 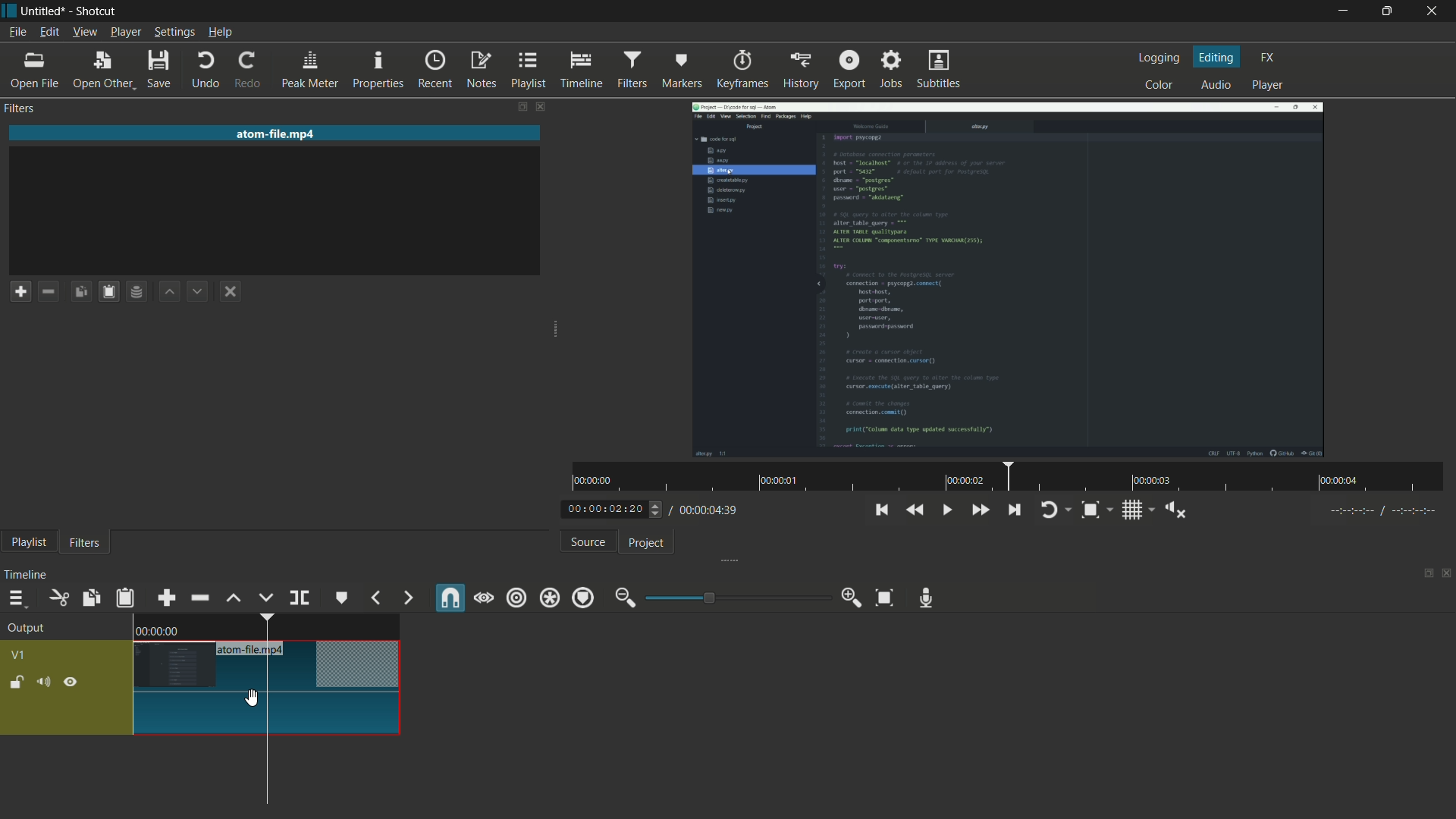 What do you see at coordinates (632, 69) in the screenshot?
I see `filters` at bounding box center [632, 69].